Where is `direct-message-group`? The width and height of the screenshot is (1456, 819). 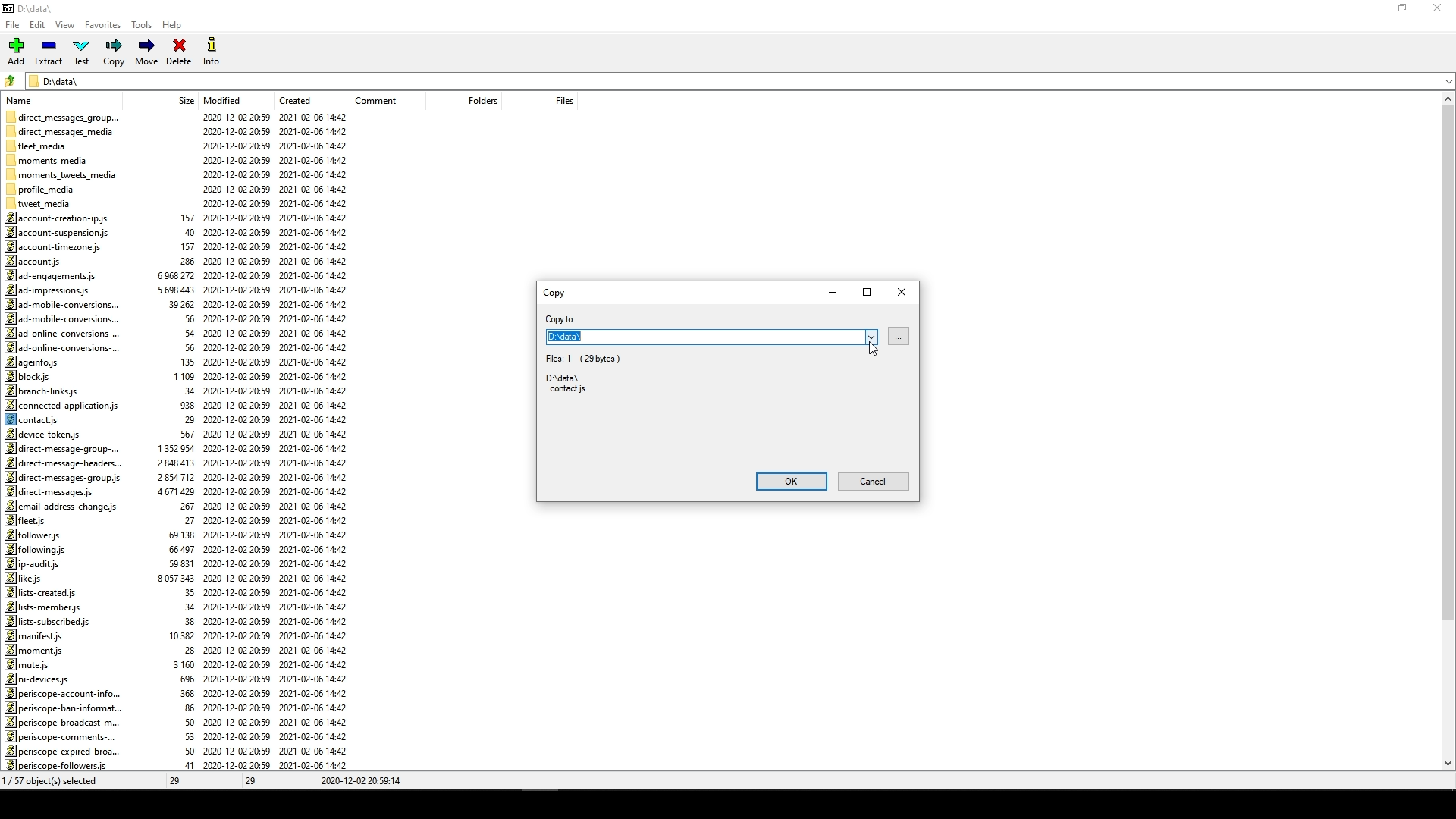
direct-message-group is located at coordinates (67, 449).